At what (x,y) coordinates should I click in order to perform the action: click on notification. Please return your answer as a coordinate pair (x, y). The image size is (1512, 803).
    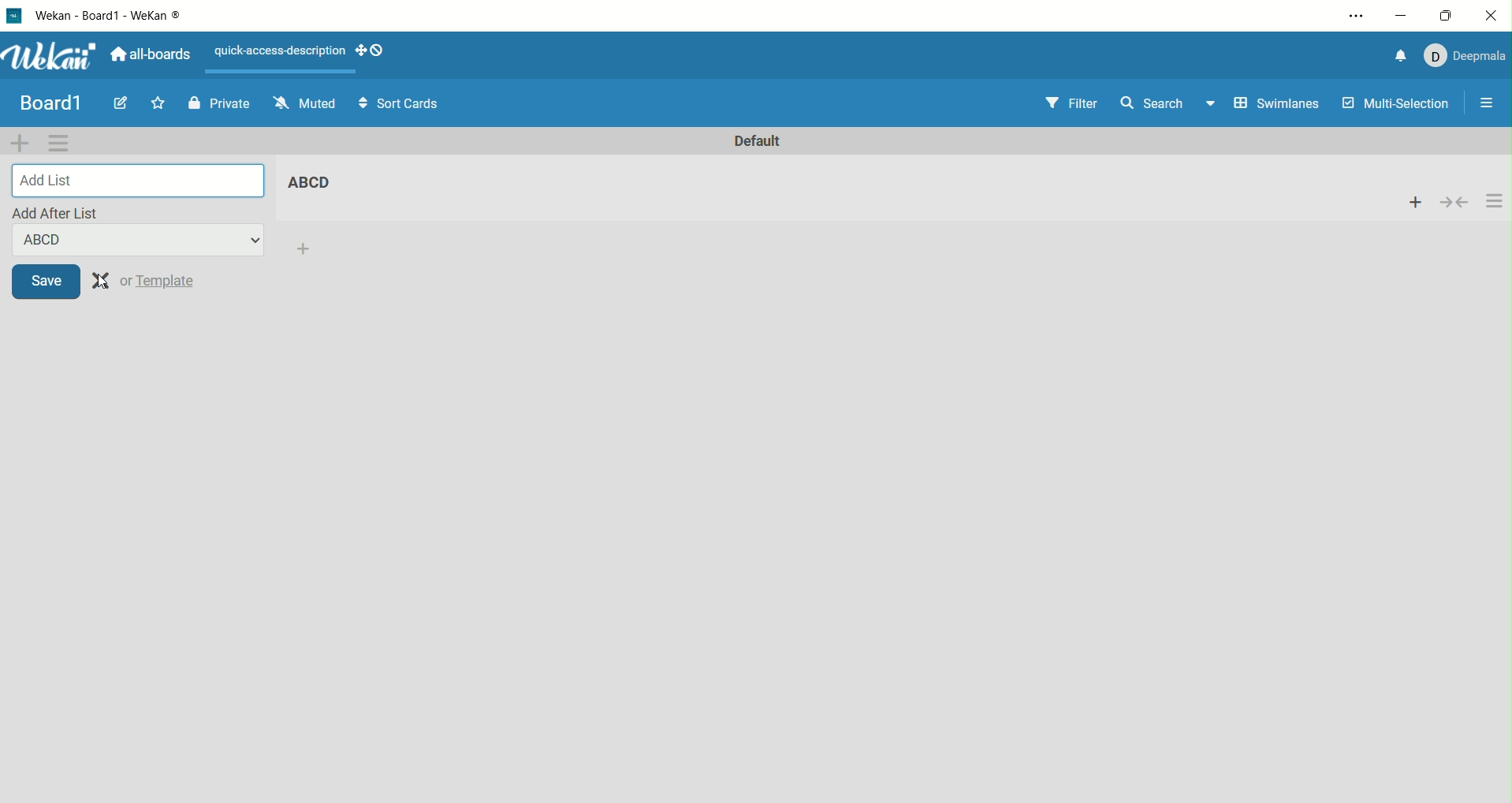
    Looking at the image, I should click on (1402, 56).